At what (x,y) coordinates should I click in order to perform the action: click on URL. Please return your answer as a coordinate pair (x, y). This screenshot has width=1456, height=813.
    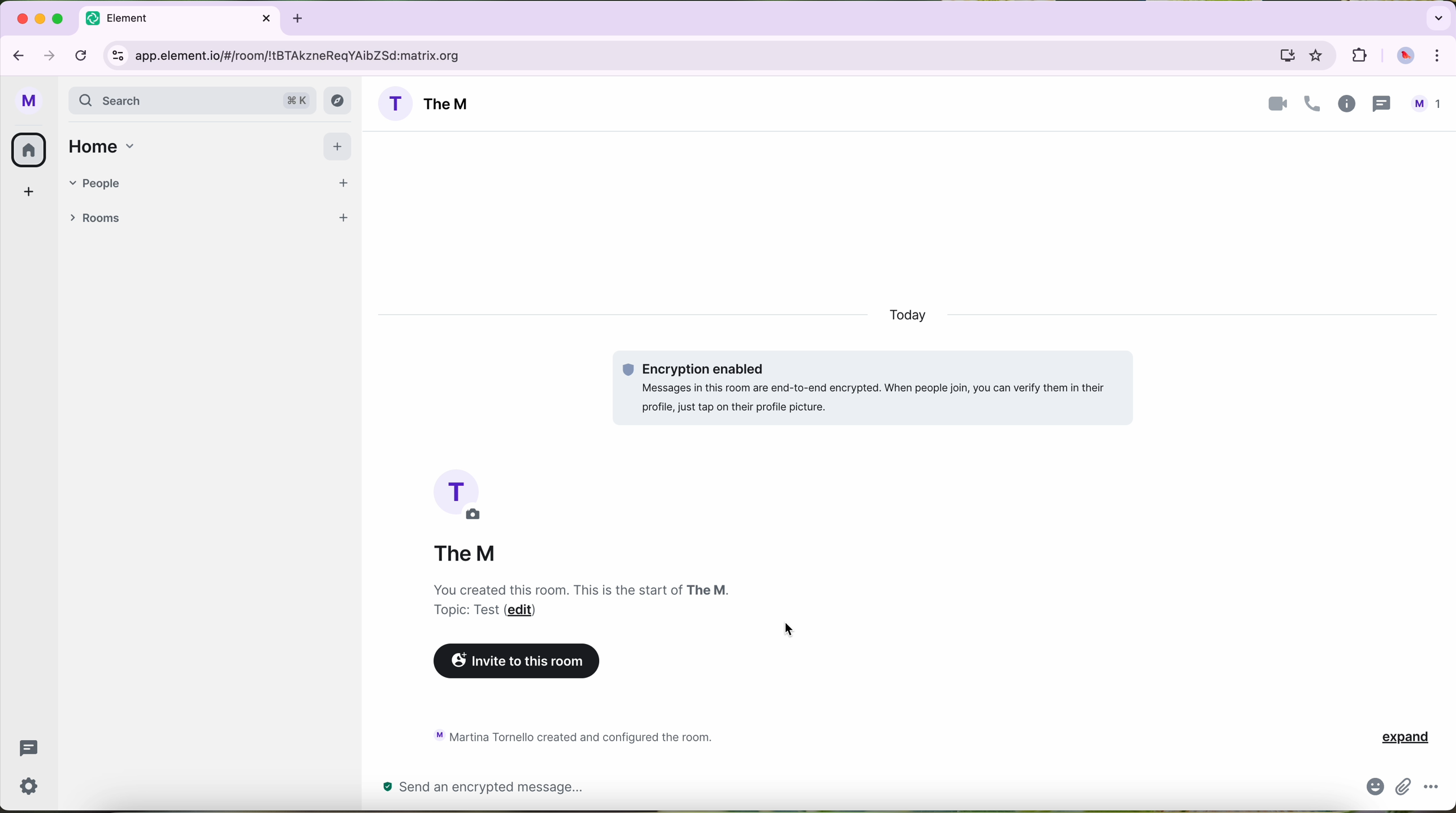
    Looking at the image, I should click on (313, 55).